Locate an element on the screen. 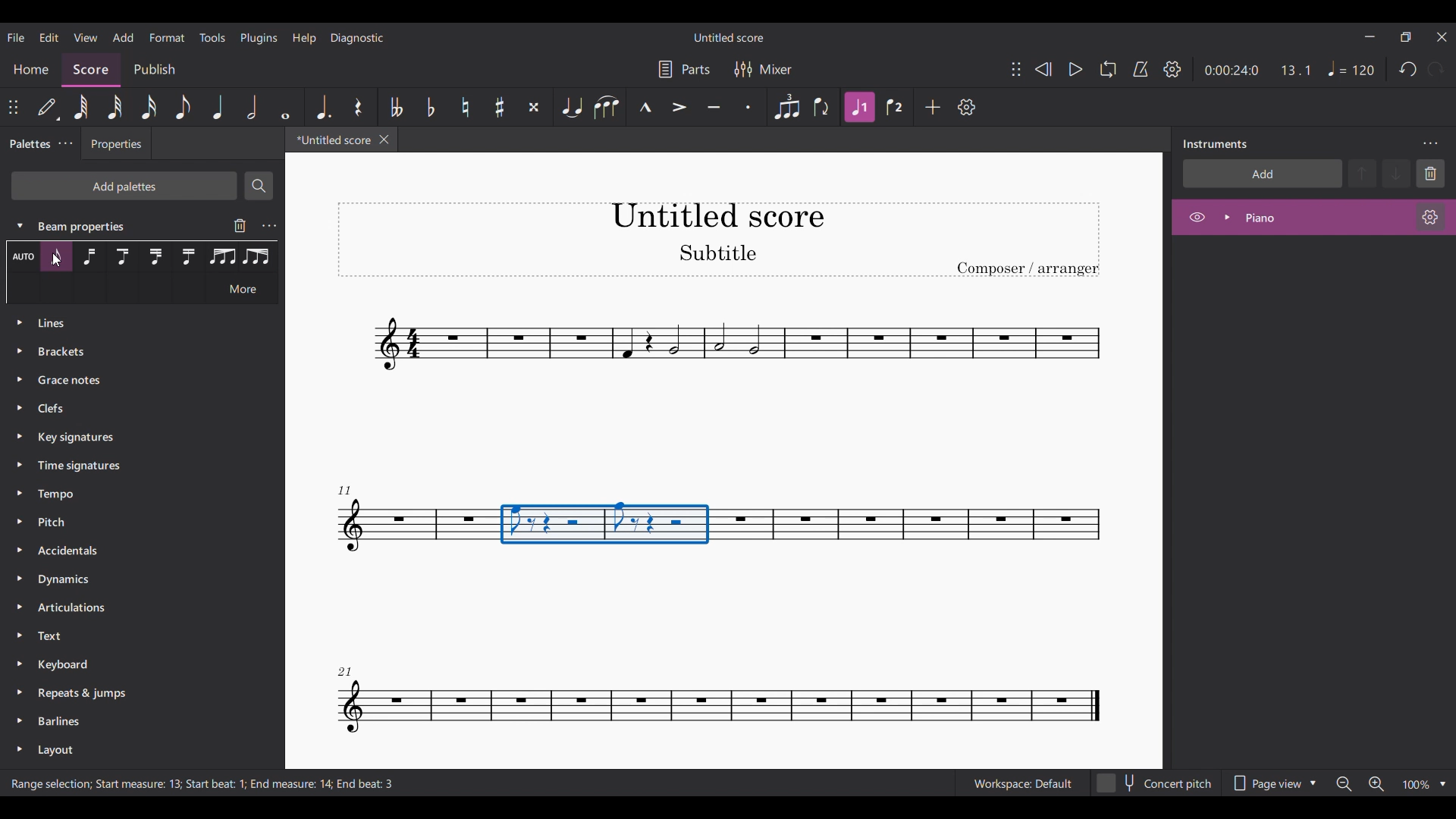 The height and width of the screenshot is (819, 1456). Pitch is located at coordinates (127, 524).